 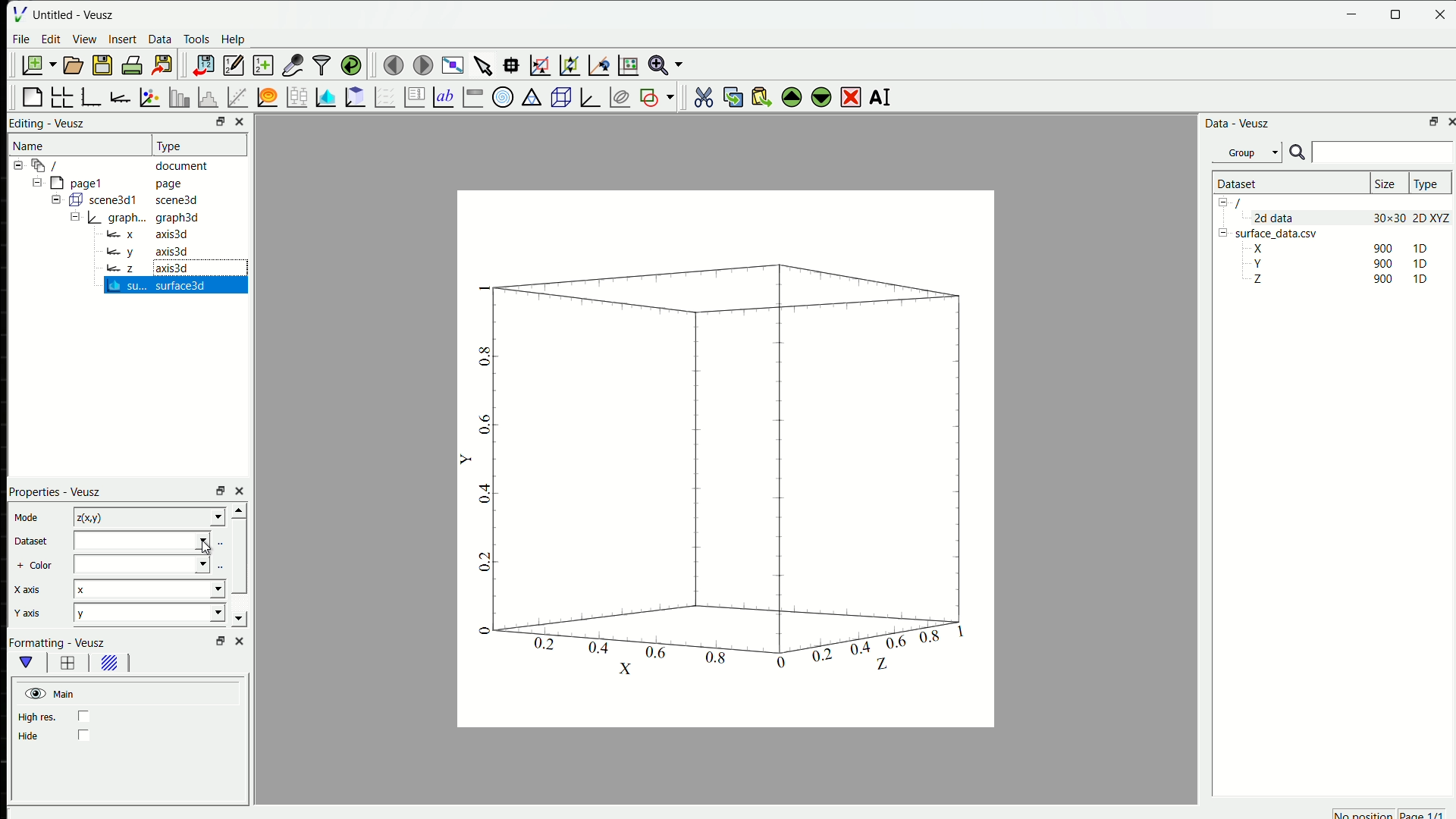 What do you see at coordinates (181, 167) in the screenshot?
I see `document` at bounding box center [181, 167].